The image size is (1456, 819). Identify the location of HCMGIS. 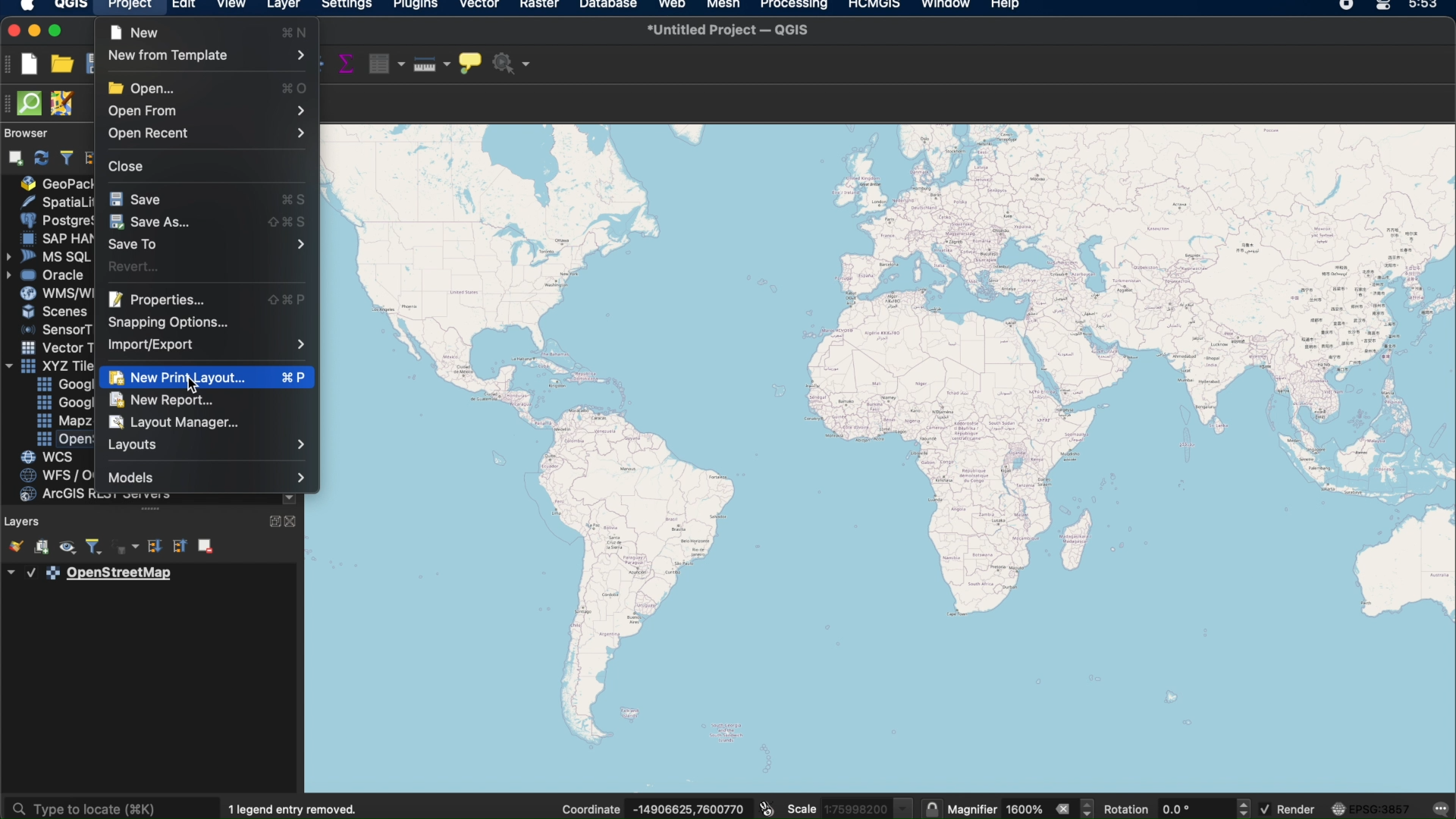
(874, 6).